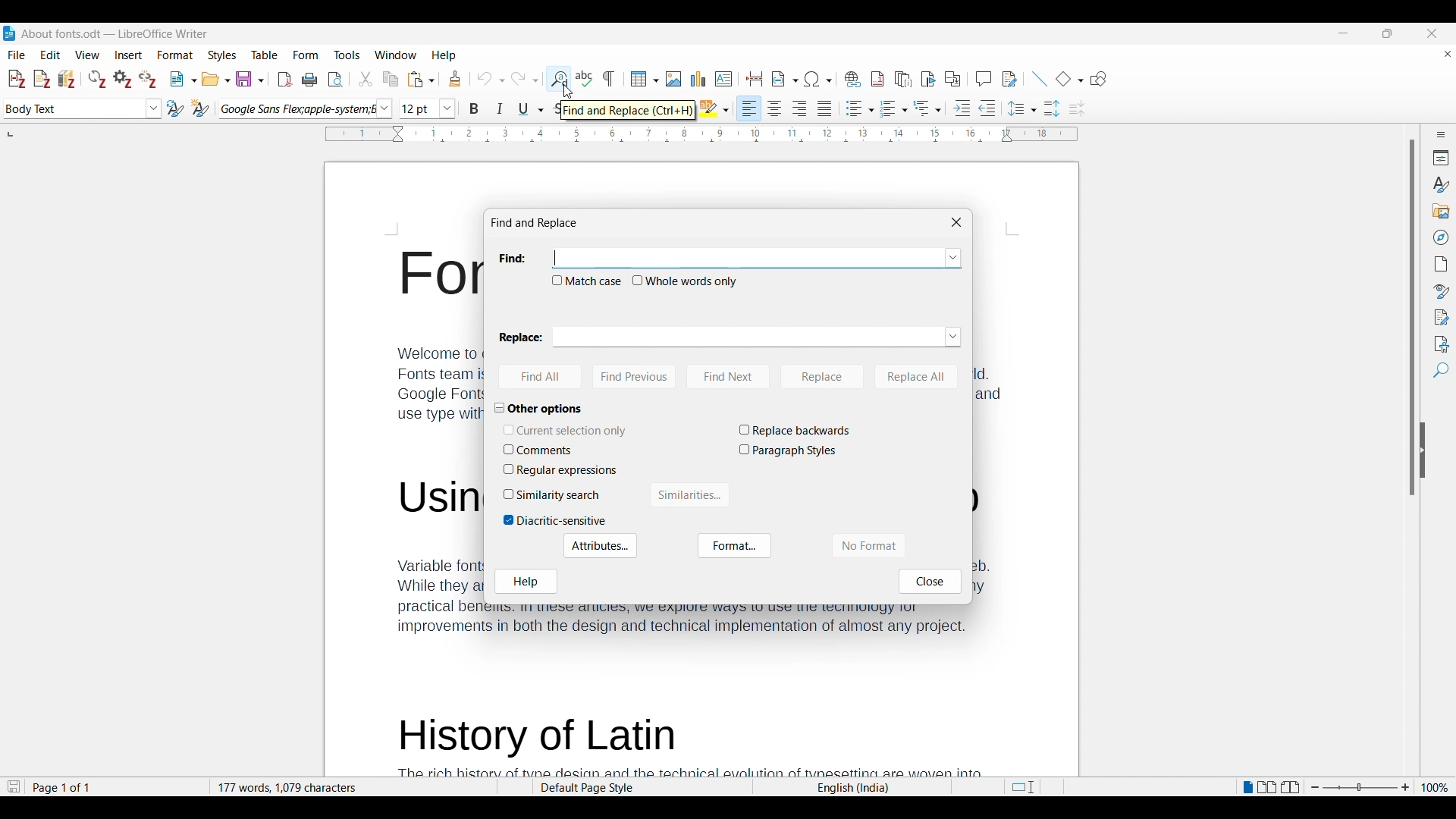 This screenshot has height=819, width=1456. Describe the element at coordinates (877, 79) in the screenshot. I see `Insert footnote` at that location.